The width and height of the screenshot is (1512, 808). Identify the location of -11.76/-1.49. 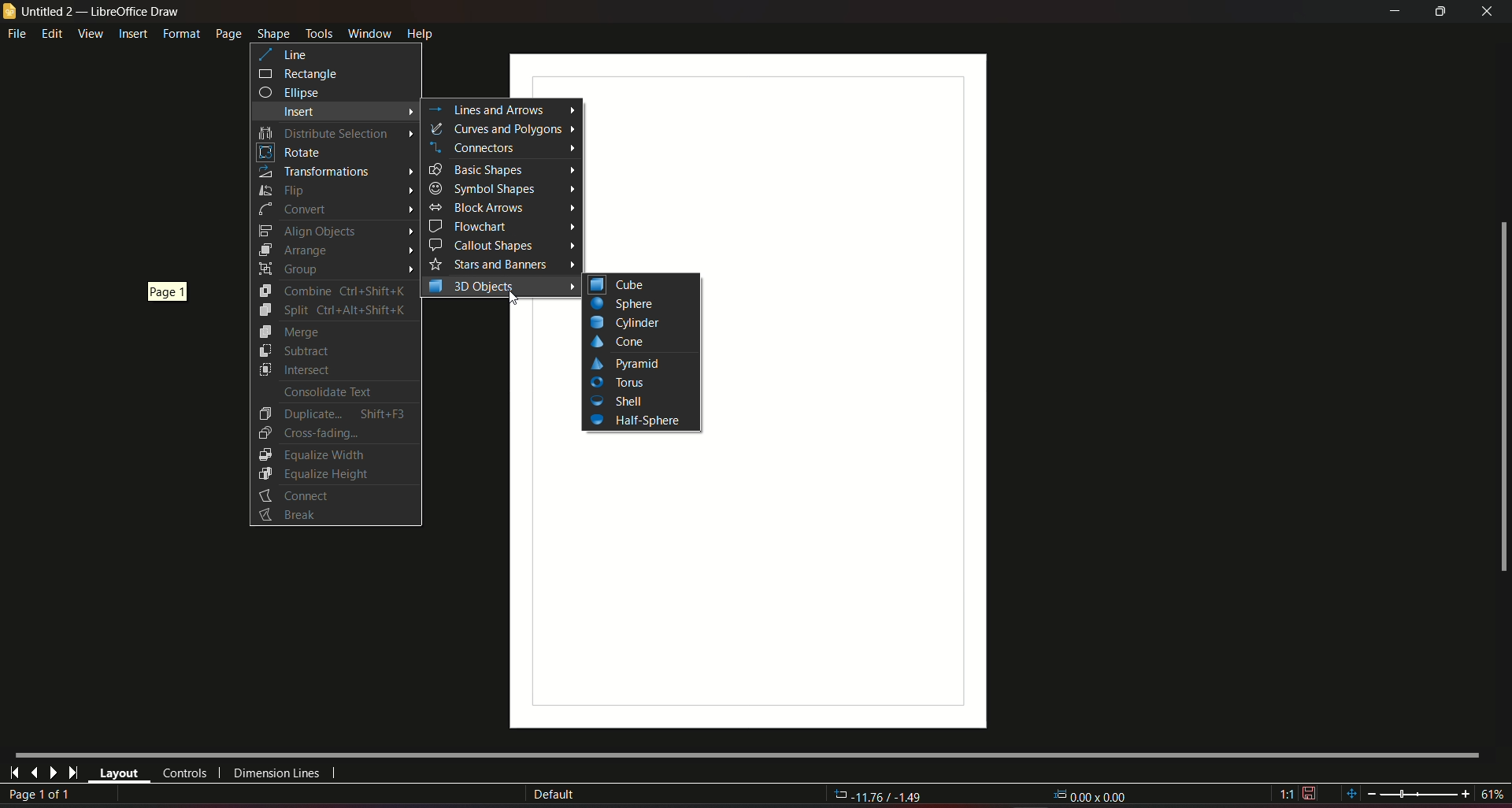
(1091, 794).